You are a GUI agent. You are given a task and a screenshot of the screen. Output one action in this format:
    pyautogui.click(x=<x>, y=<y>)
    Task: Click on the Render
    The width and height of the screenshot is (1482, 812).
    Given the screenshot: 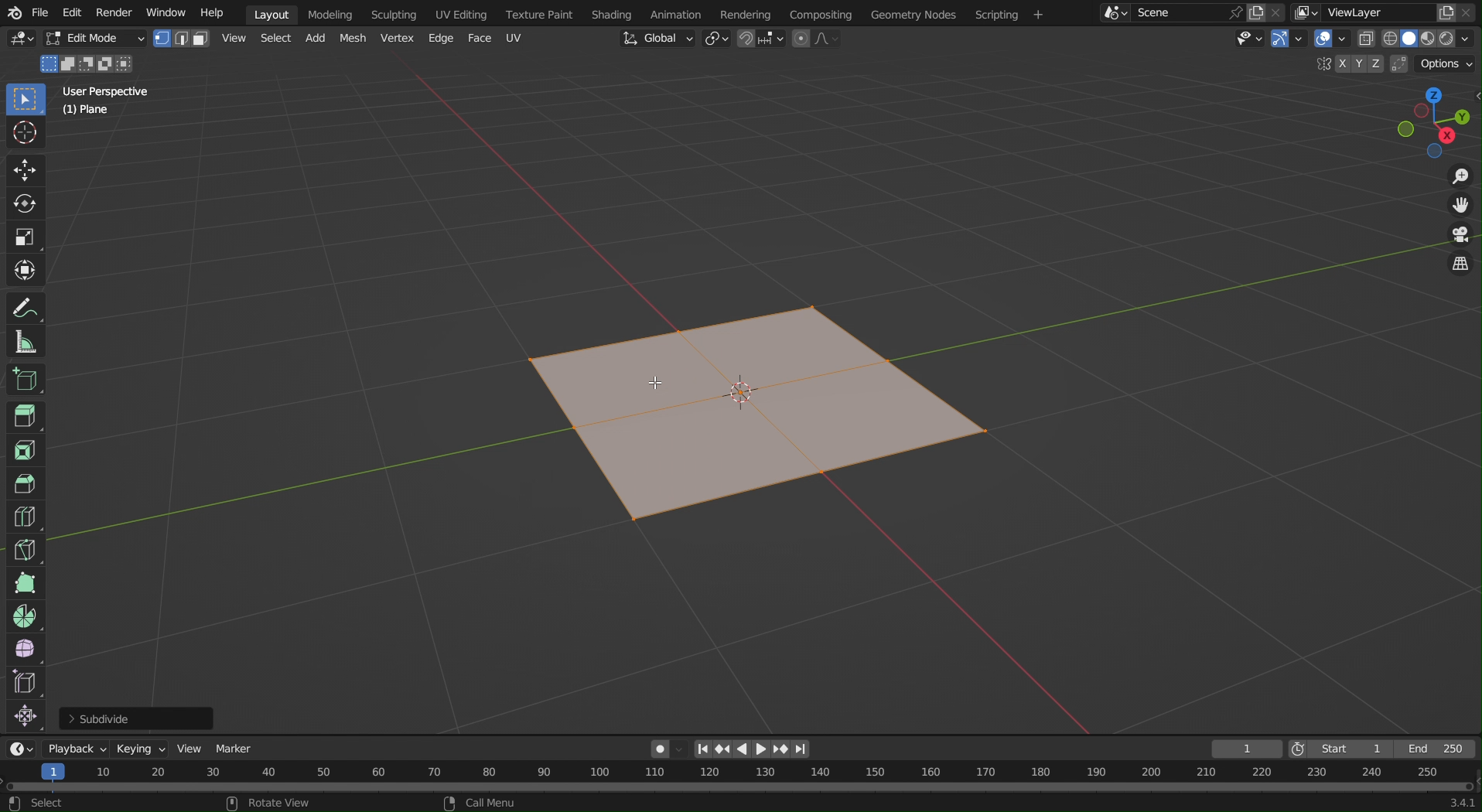 What is the action you would take?
    pyautogui.click(x=114, y=12)
    